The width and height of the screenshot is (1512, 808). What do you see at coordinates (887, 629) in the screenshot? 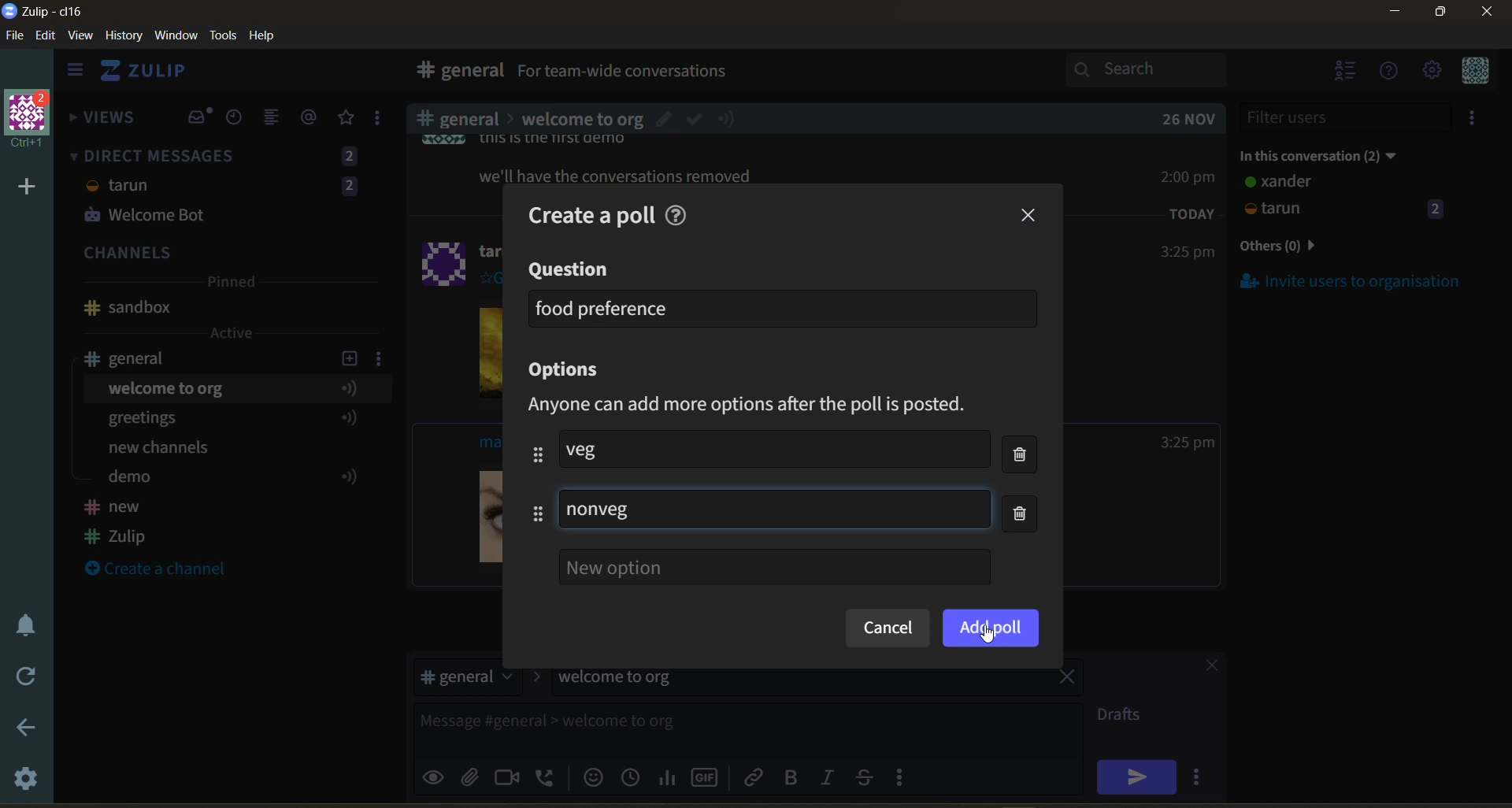
I see `cancel` at bounding box center [887, 629].